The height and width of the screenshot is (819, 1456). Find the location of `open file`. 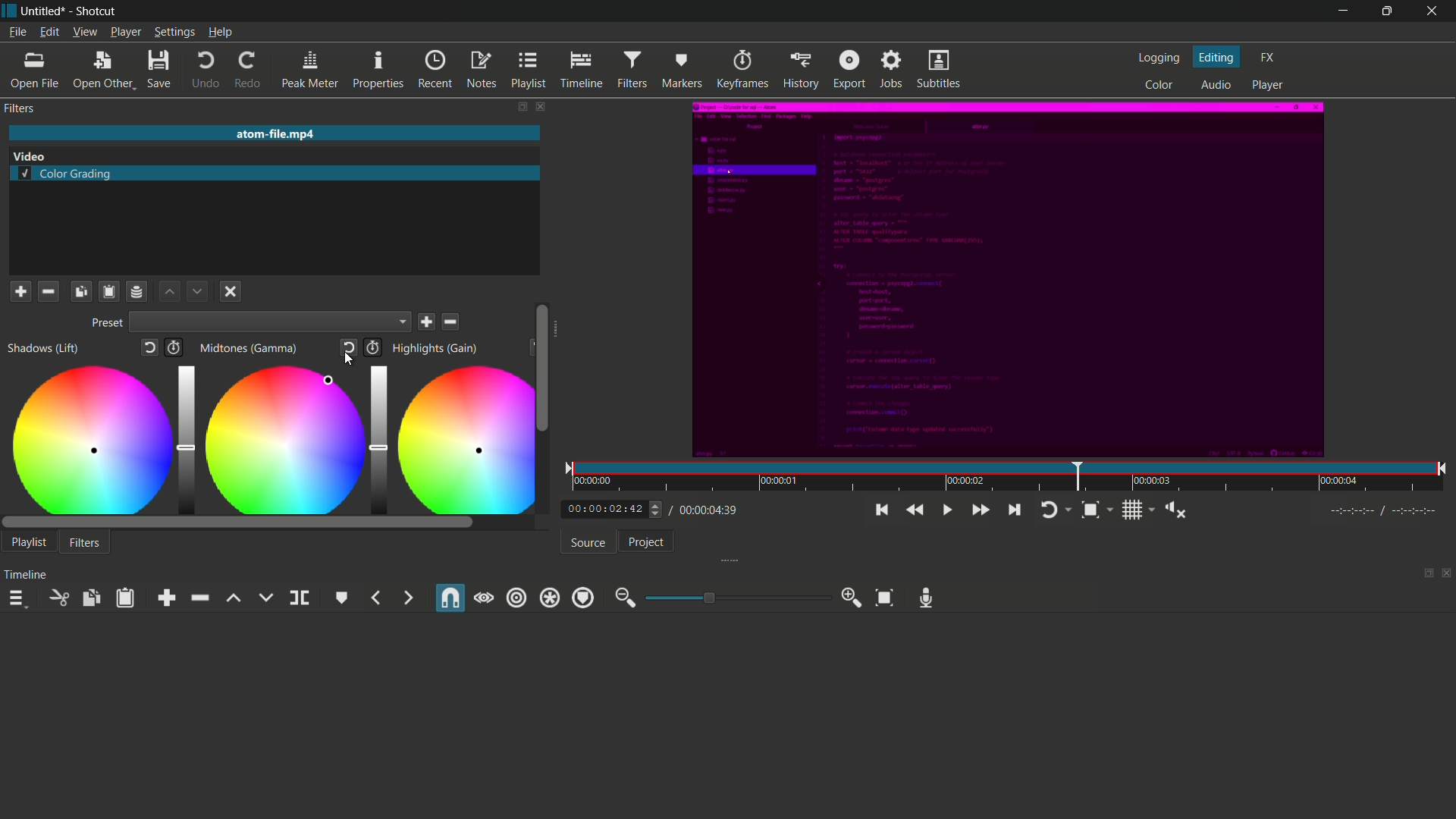

open file is located at coordinates (33, 72).